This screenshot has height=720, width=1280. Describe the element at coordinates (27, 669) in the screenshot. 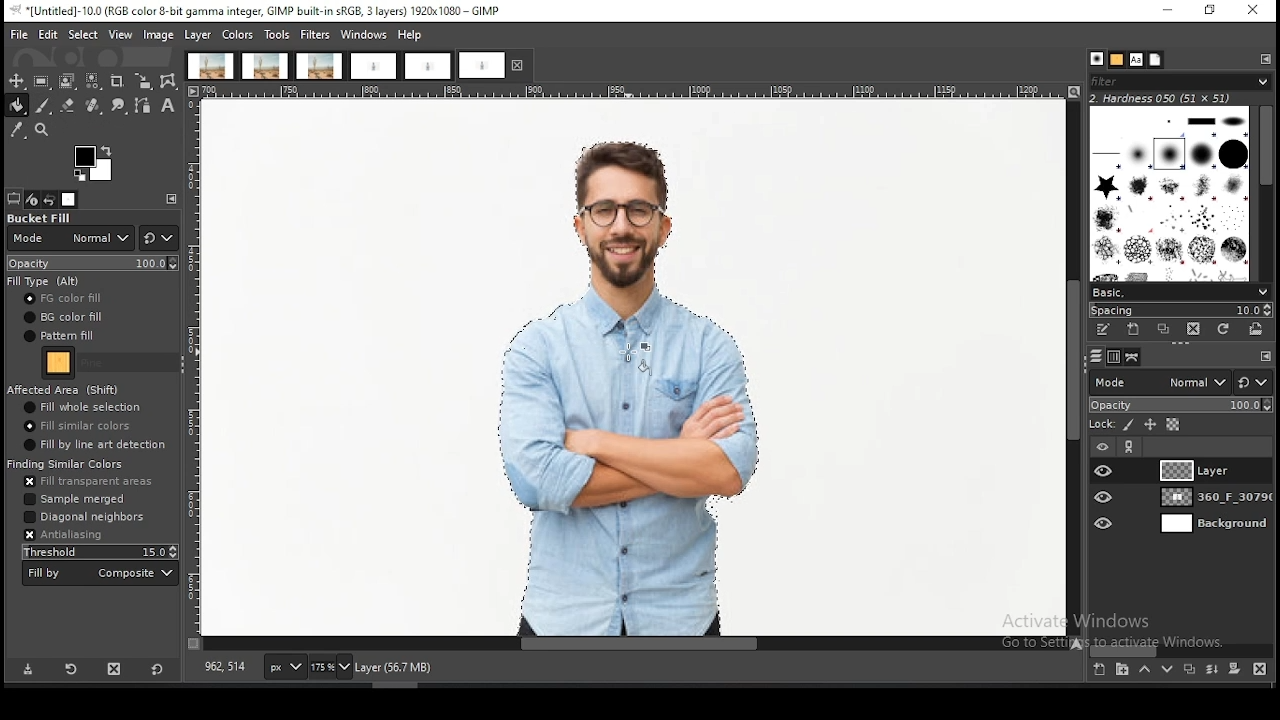

I see `save tool preset` at that location.